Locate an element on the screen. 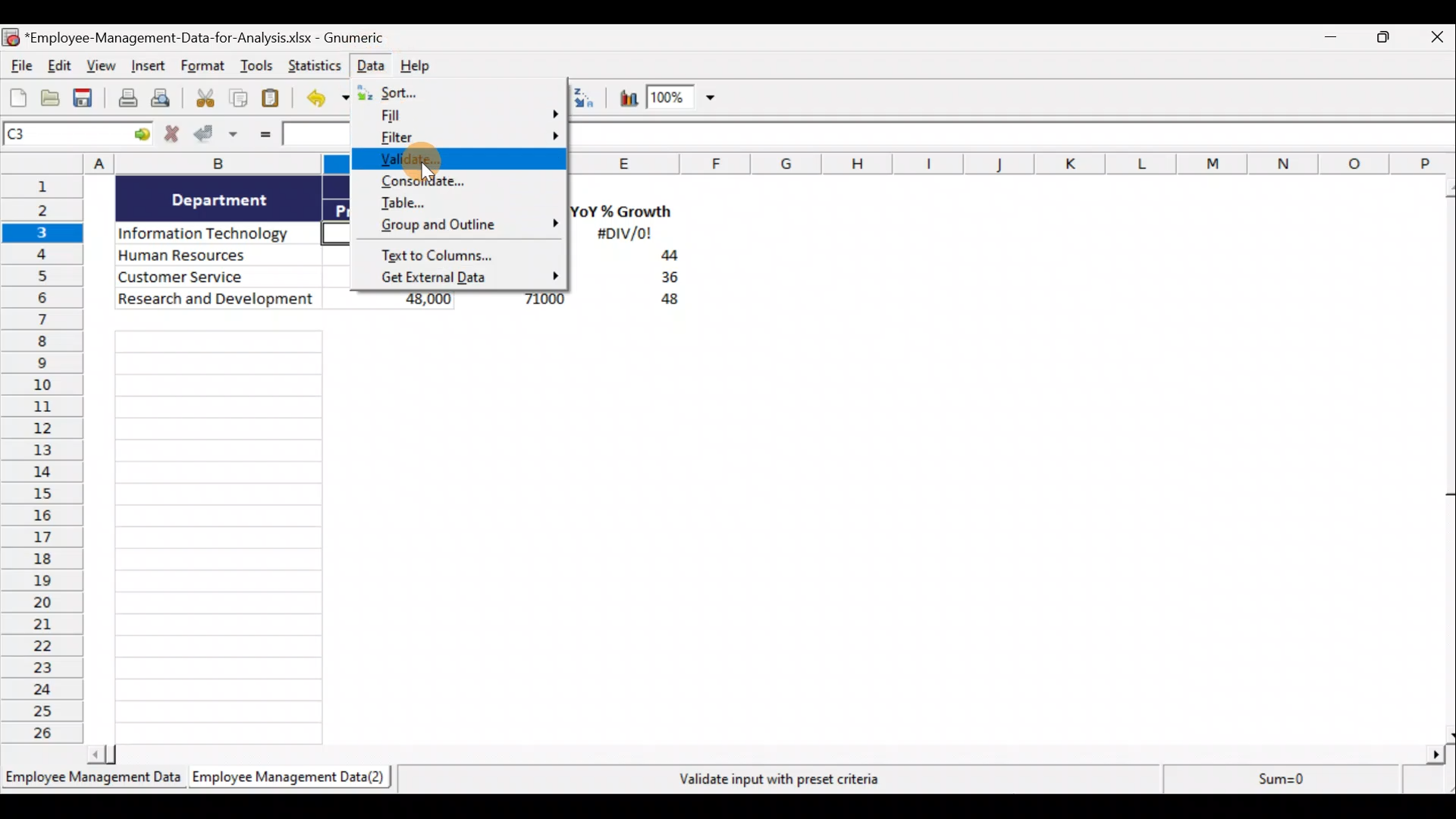 This screenshot has height=819, width=1456. Sort descending is located at coordinates (584, 98).